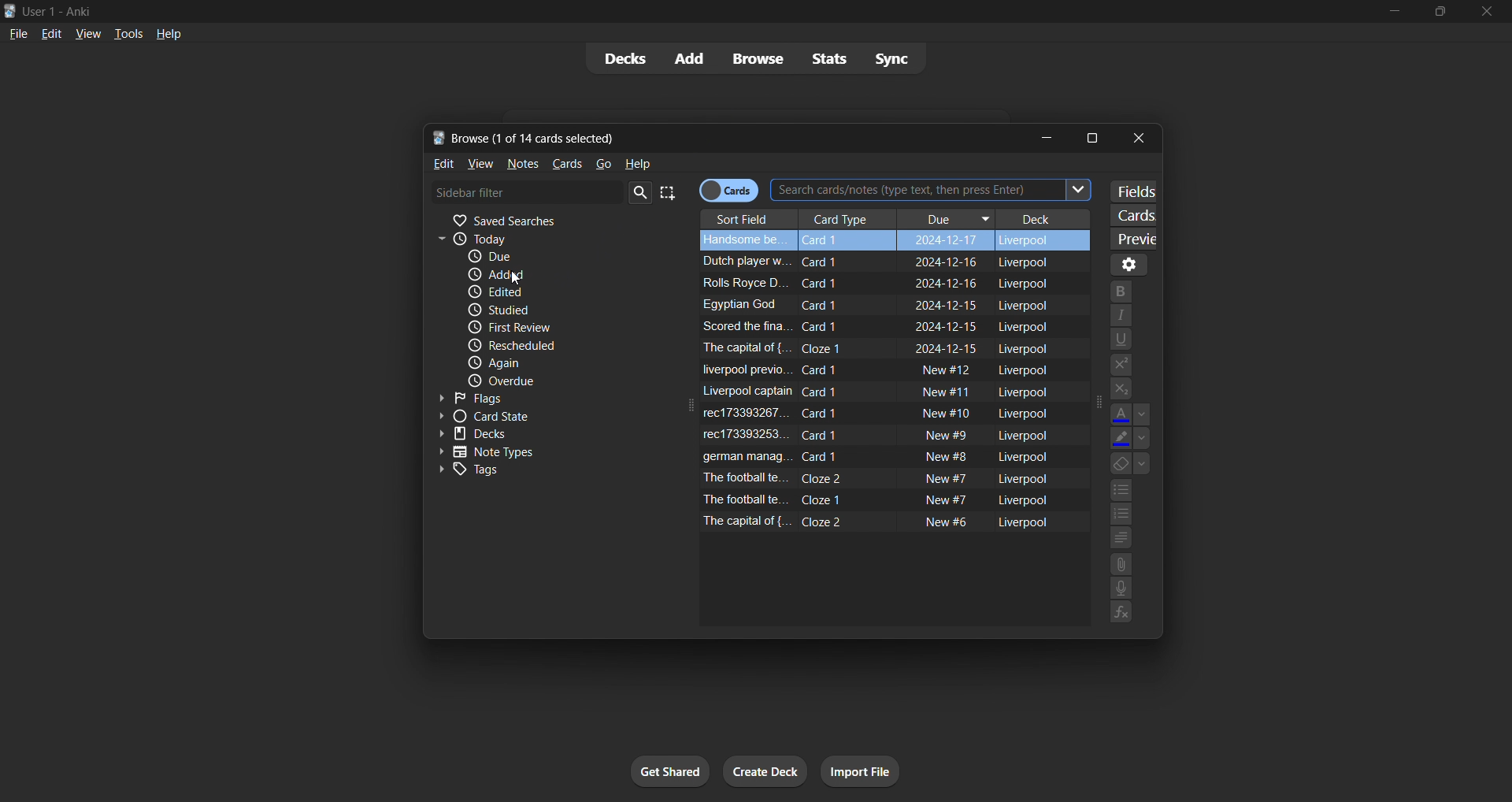  What do you see at coordinates (765, 770) in the screenshot?
I see `create deck` at bounding box center [765, 770].